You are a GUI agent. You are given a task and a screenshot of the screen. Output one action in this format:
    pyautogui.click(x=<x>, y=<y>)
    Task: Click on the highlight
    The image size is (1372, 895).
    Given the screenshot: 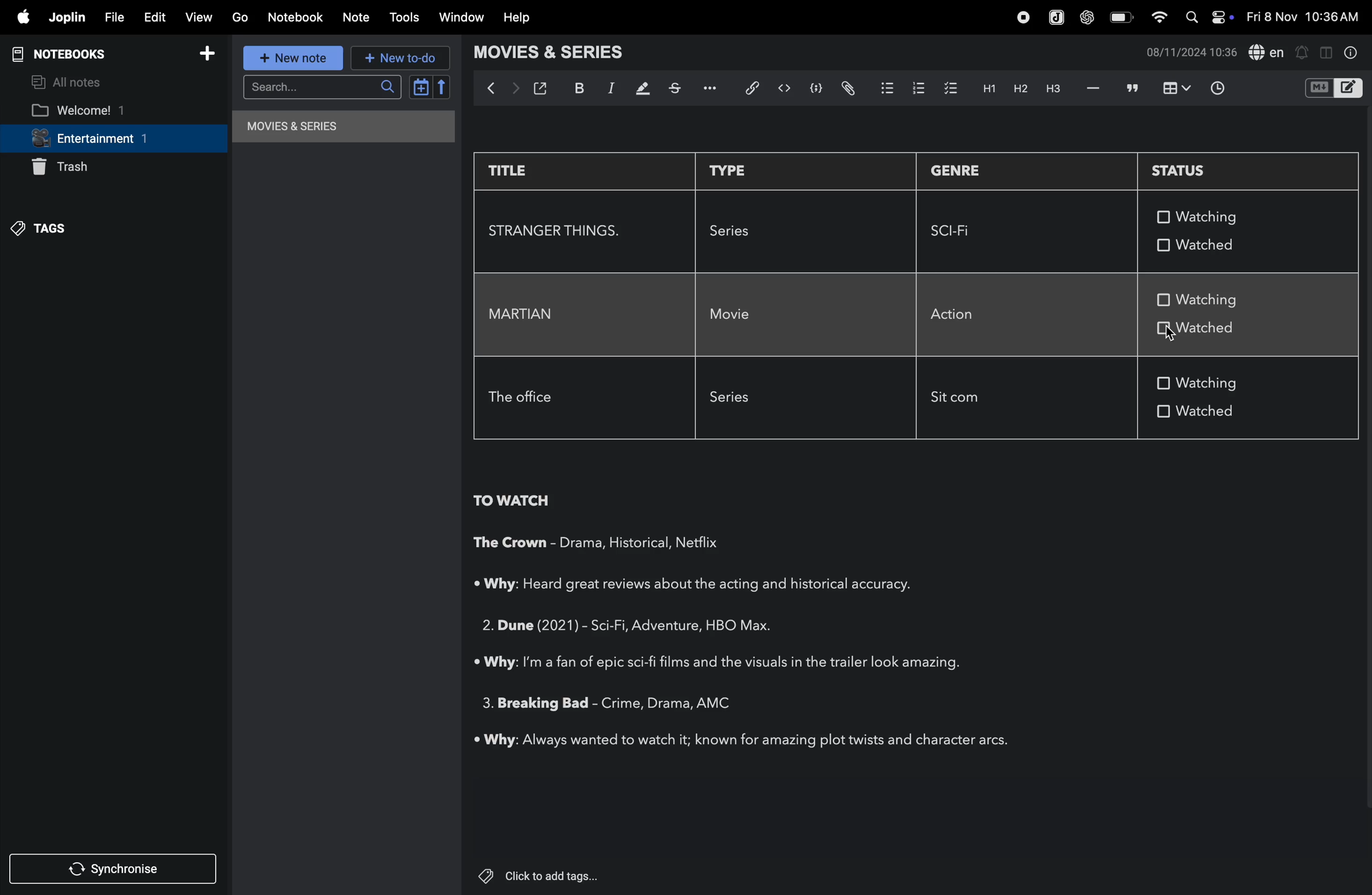 What is the action you would take?
    pyautogui.click(x=643, y=88)
    